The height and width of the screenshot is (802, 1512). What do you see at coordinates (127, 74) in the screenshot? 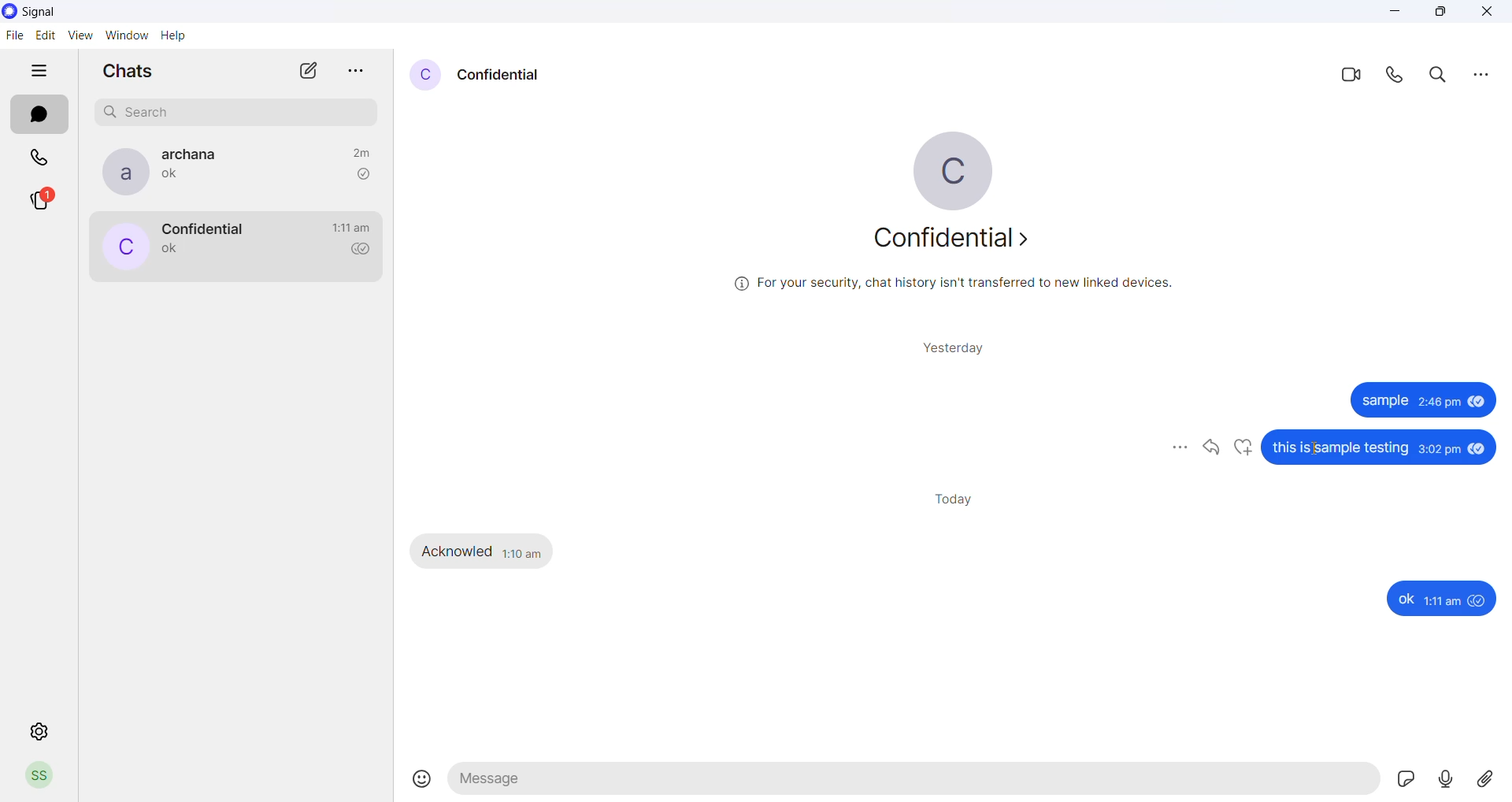
I see `chats heading` at bounding box center [127, 74].